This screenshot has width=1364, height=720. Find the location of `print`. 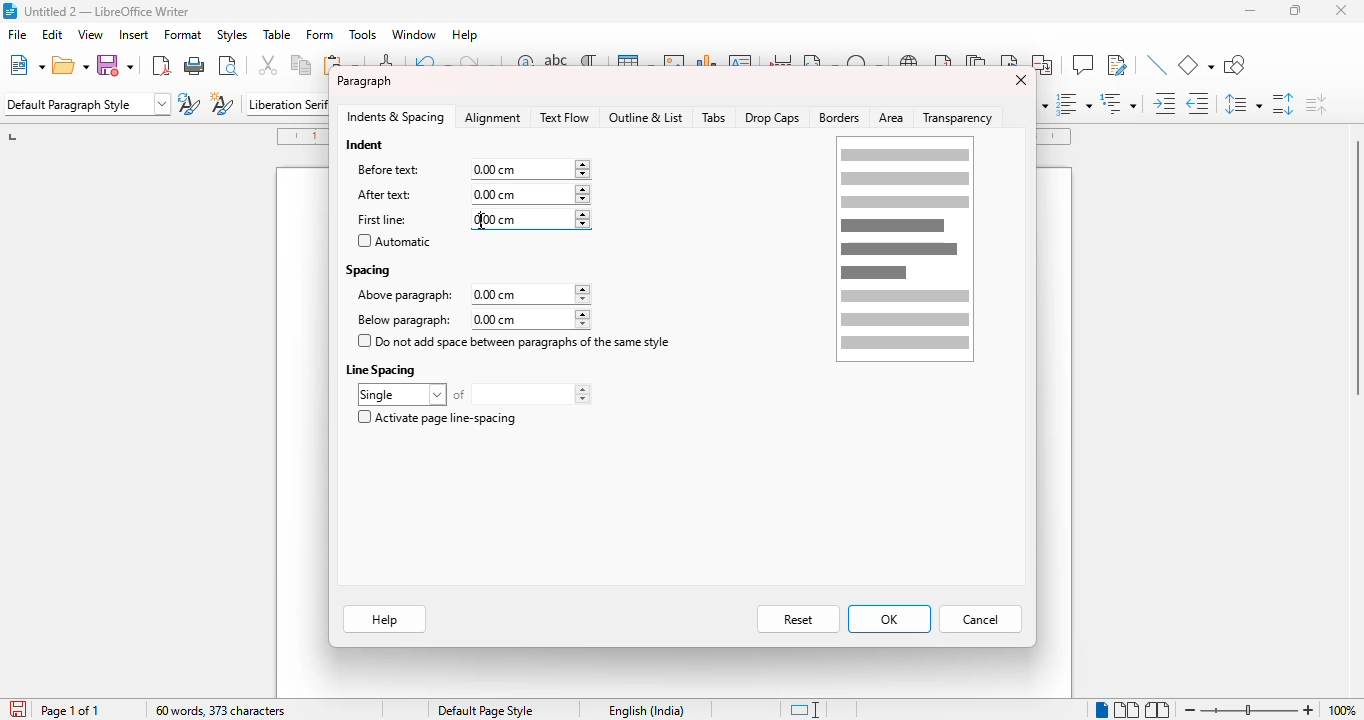

print is located at coordinates (195, 64).